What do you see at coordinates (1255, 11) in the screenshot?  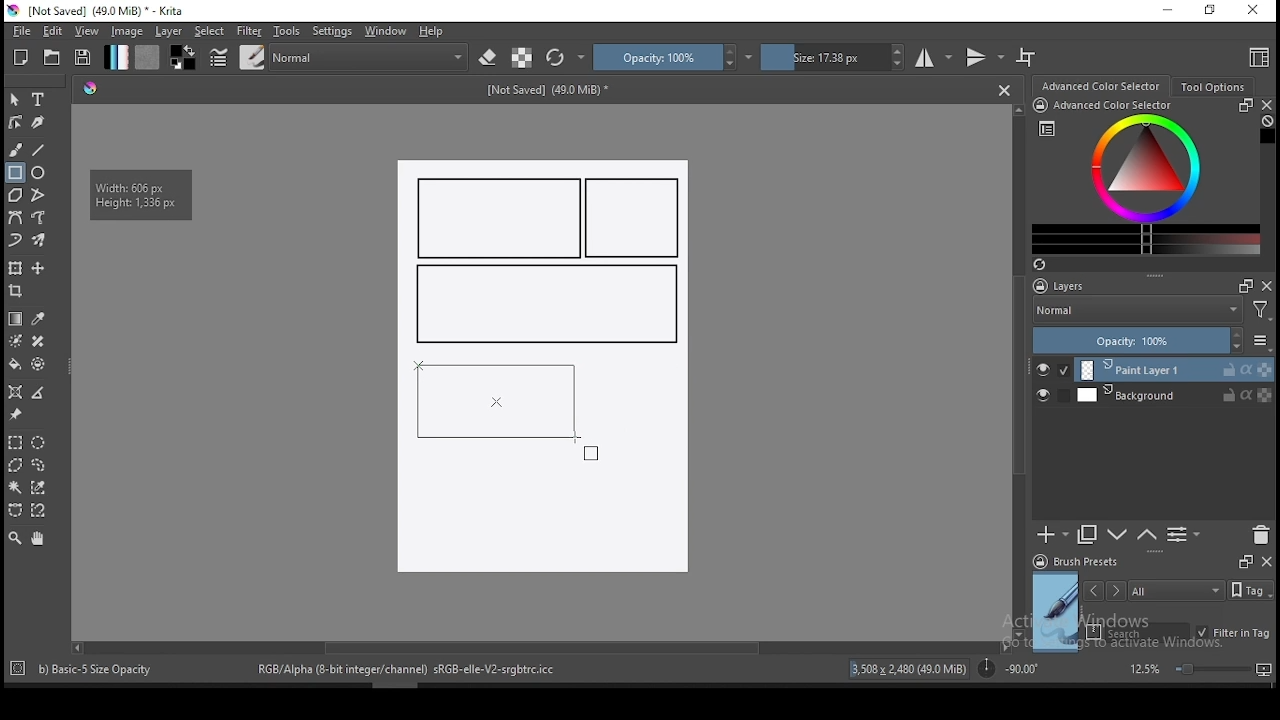 I see ` close window` at bounding box center [1255, 11].